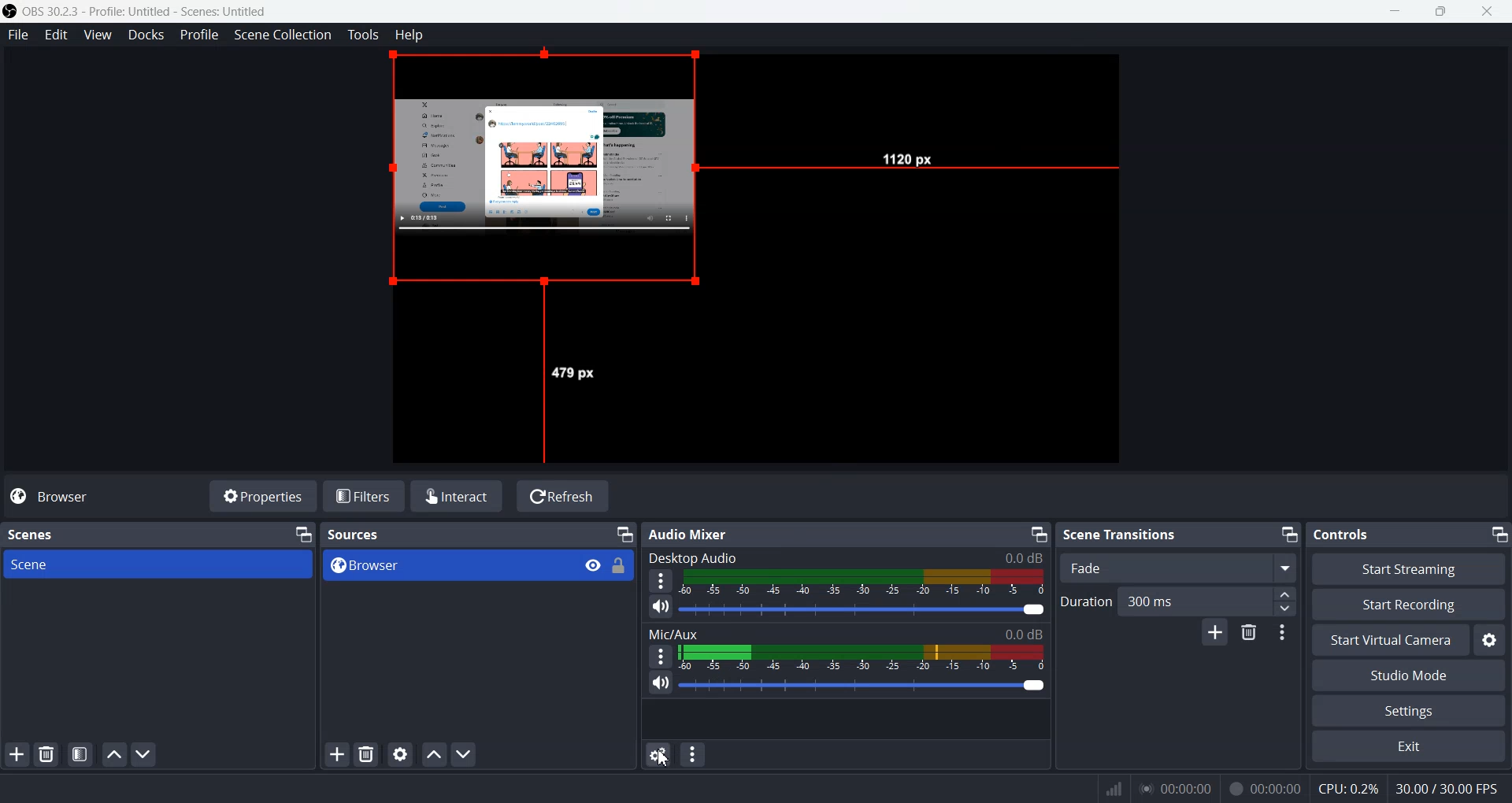 The width and height of the screenshot is (1512, 803). What do you see at coordinates (460, 495) in the screenshot?
I see `Interact` at bounding box center [460, 495].